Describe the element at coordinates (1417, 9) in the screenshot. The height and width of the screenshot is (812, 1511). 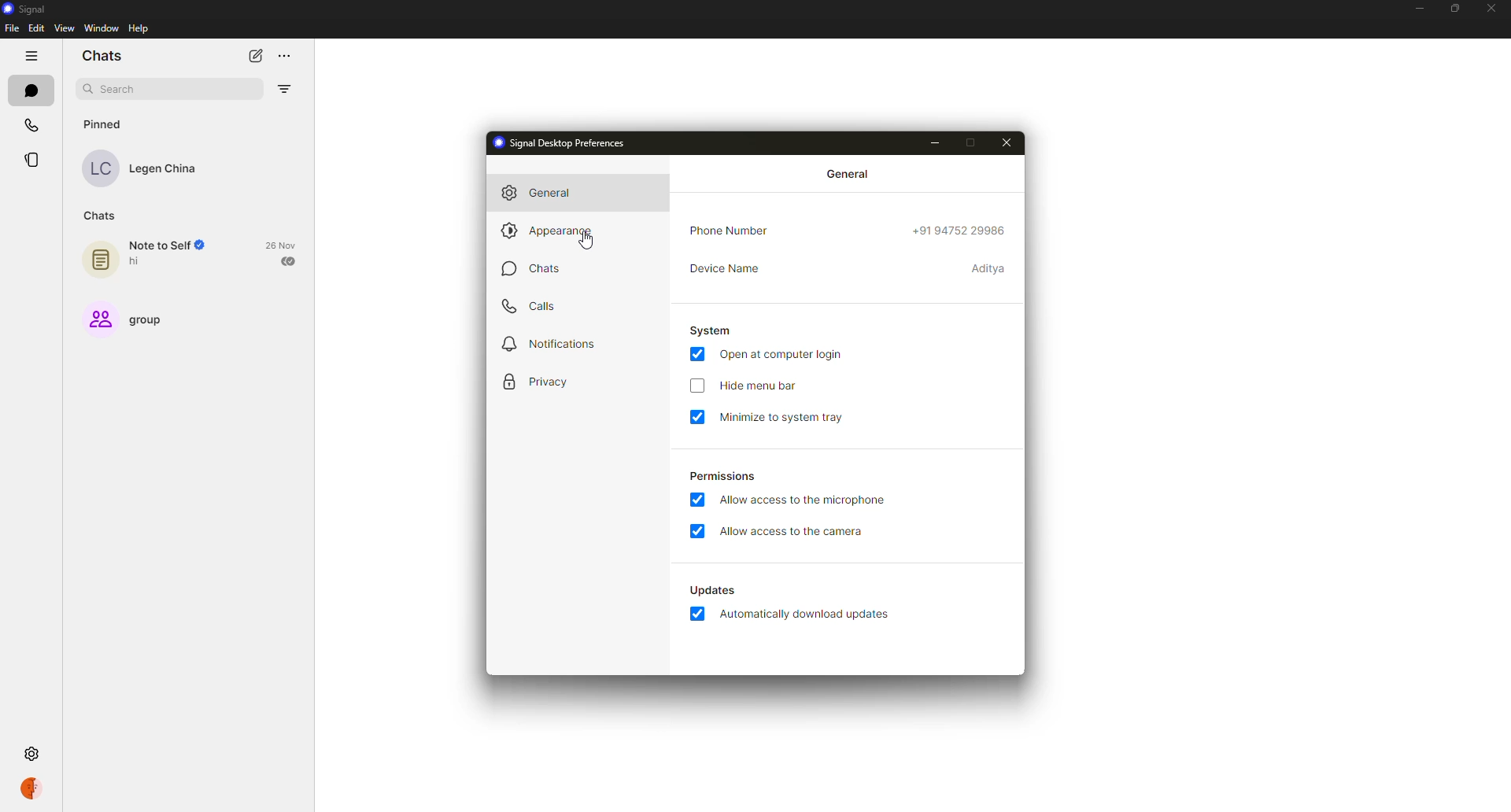
I see `minimize` at that location.